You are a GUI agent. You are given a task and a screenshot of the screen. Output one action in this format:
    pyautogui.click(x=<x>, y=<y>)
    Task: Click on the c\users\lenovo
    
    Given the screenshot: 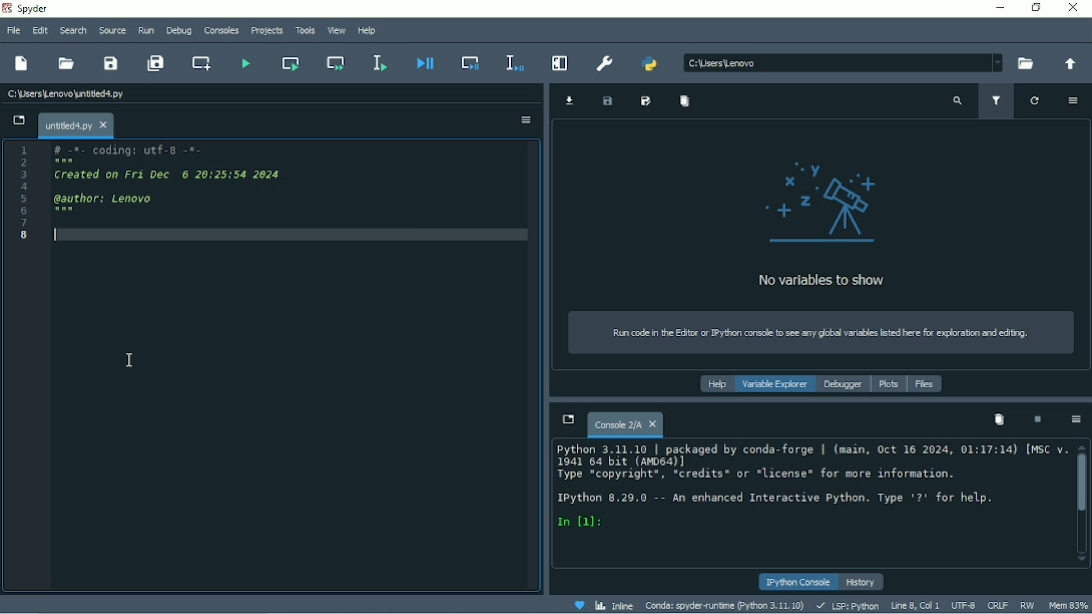 What is the action you would take?
    pyautogui.click(x=824, y=63)
    